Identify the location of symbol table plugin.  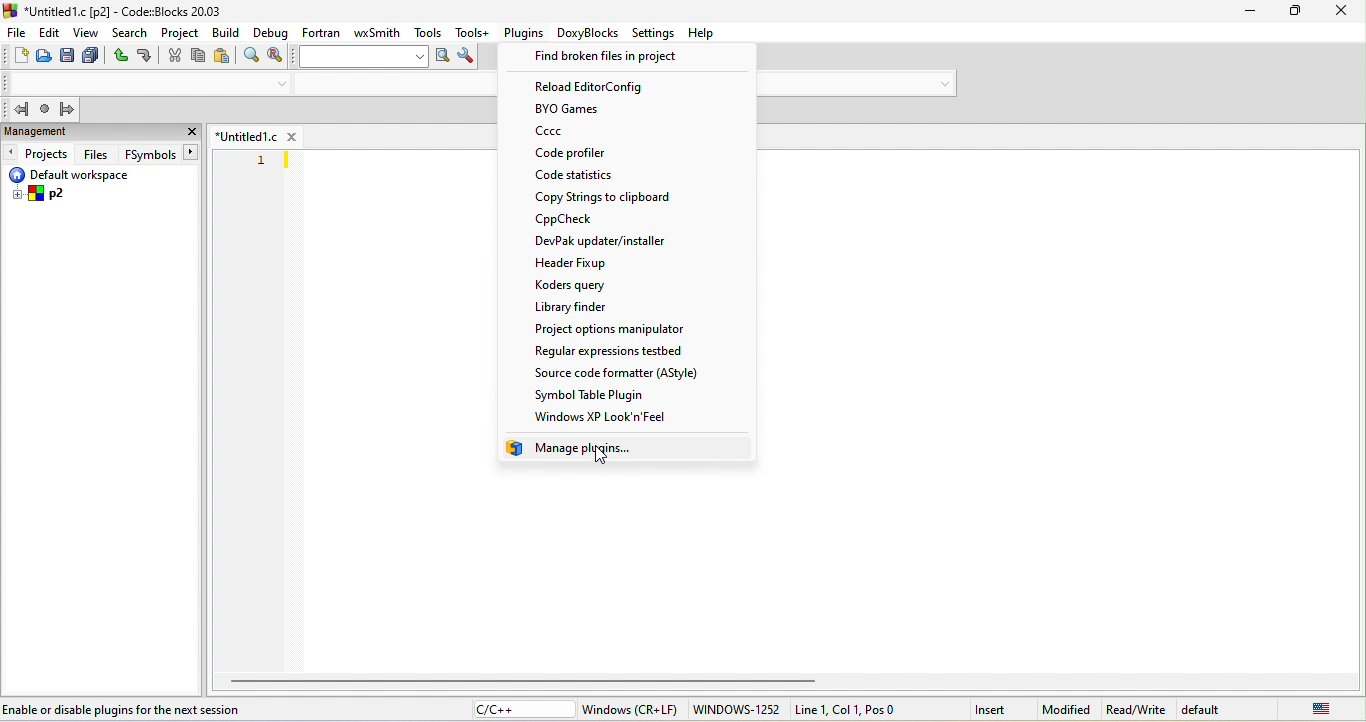
(628, 395).